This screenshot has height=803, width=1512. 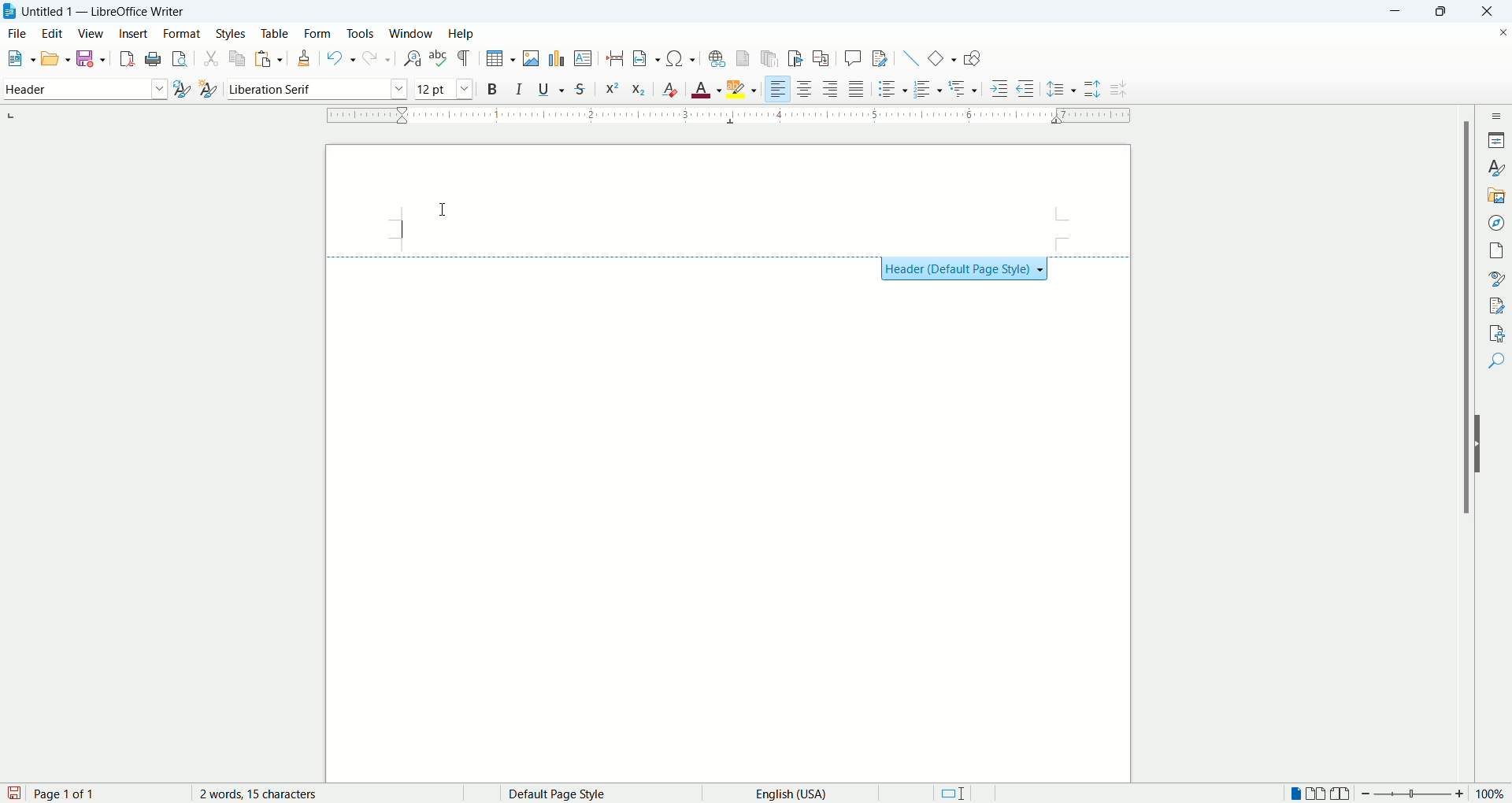 What do you see at coordinates (133, 33) in the screenshot?
I see `insert` at bounding box center [133, 33].